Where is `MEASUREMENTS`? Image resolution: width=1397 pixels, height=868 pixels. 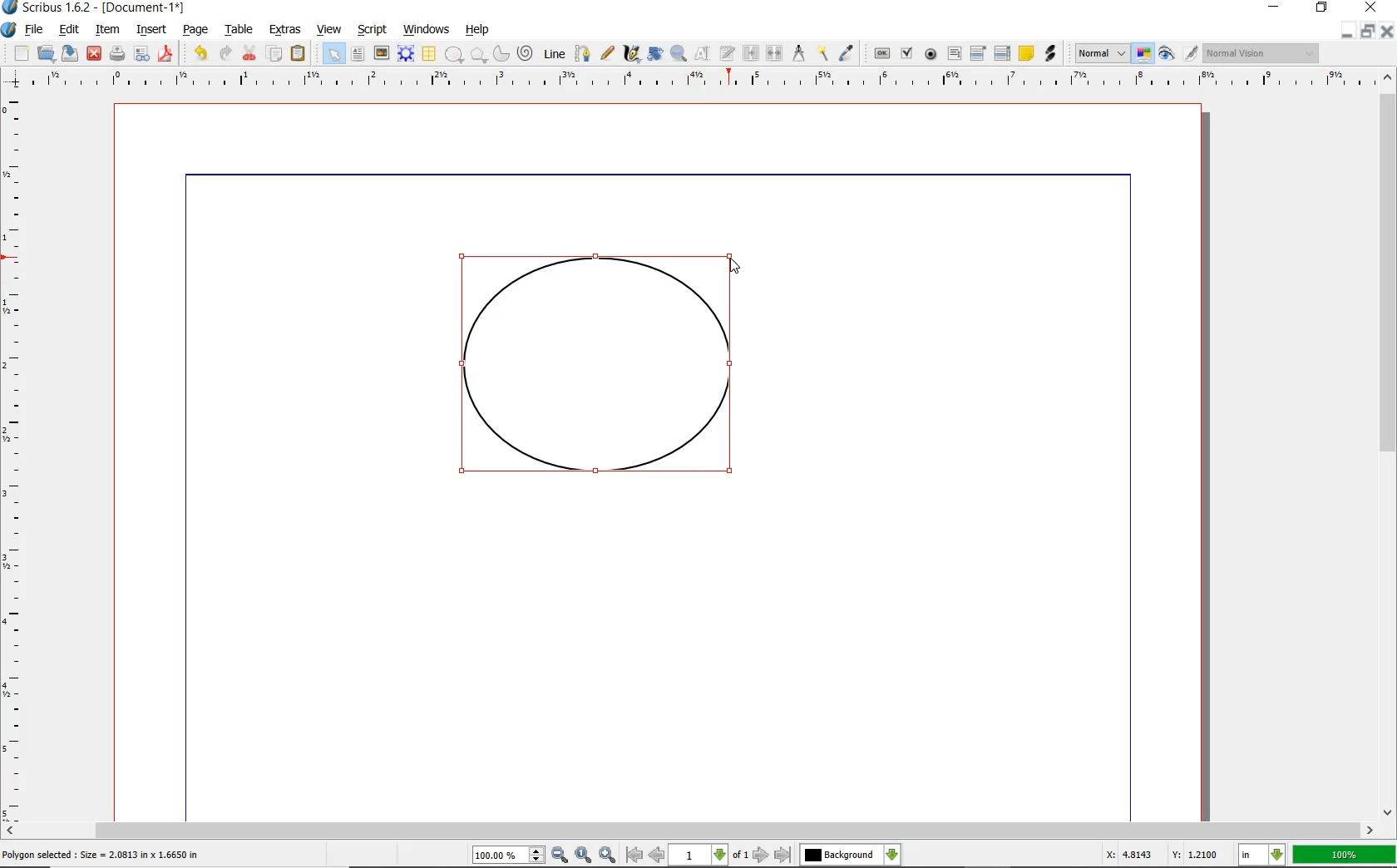
MEASUREMENTS is located at coordinates (798, 54).